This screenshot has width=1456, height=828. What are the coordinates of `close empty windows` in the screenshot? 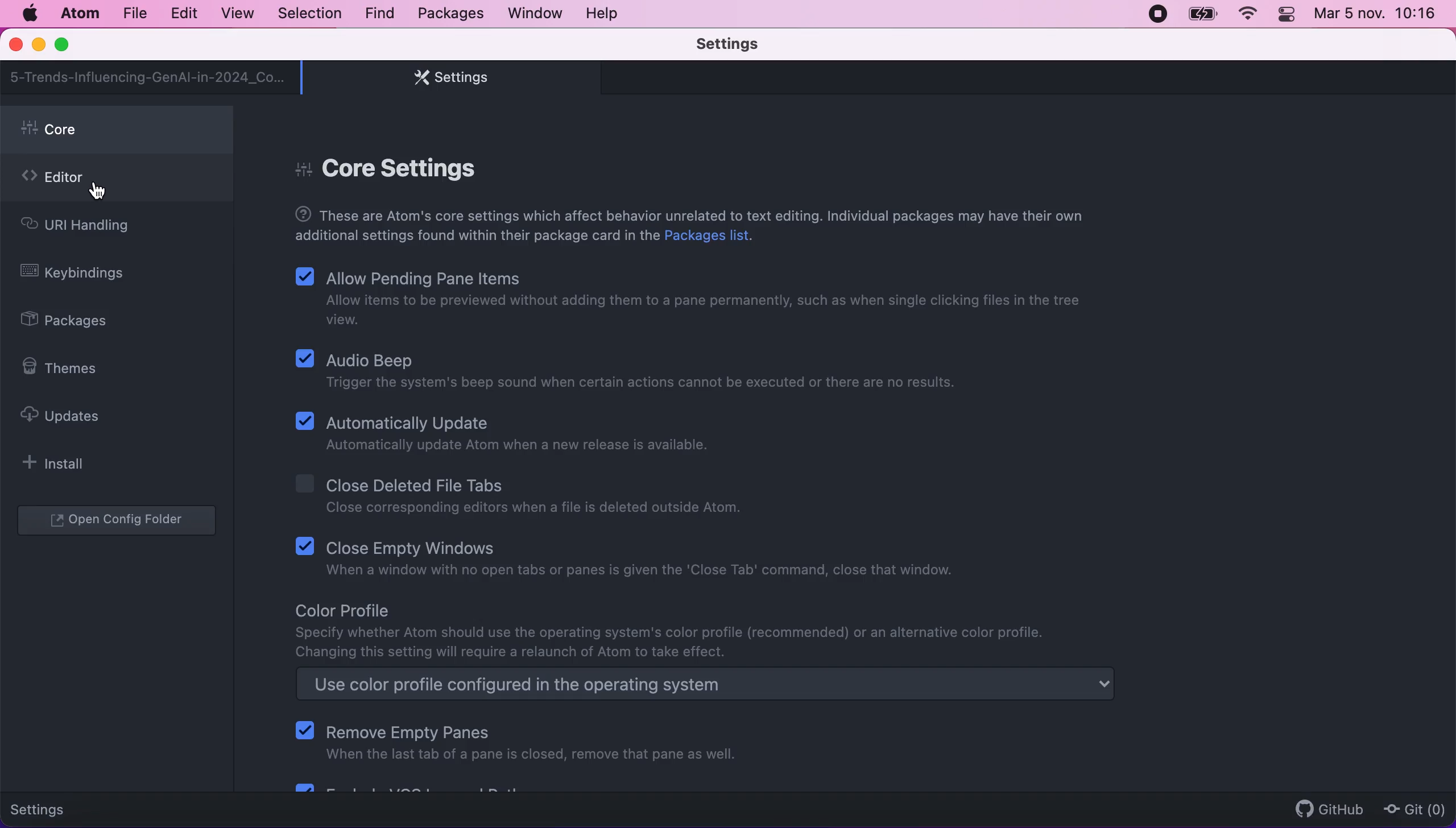 It's located at (639, 562).